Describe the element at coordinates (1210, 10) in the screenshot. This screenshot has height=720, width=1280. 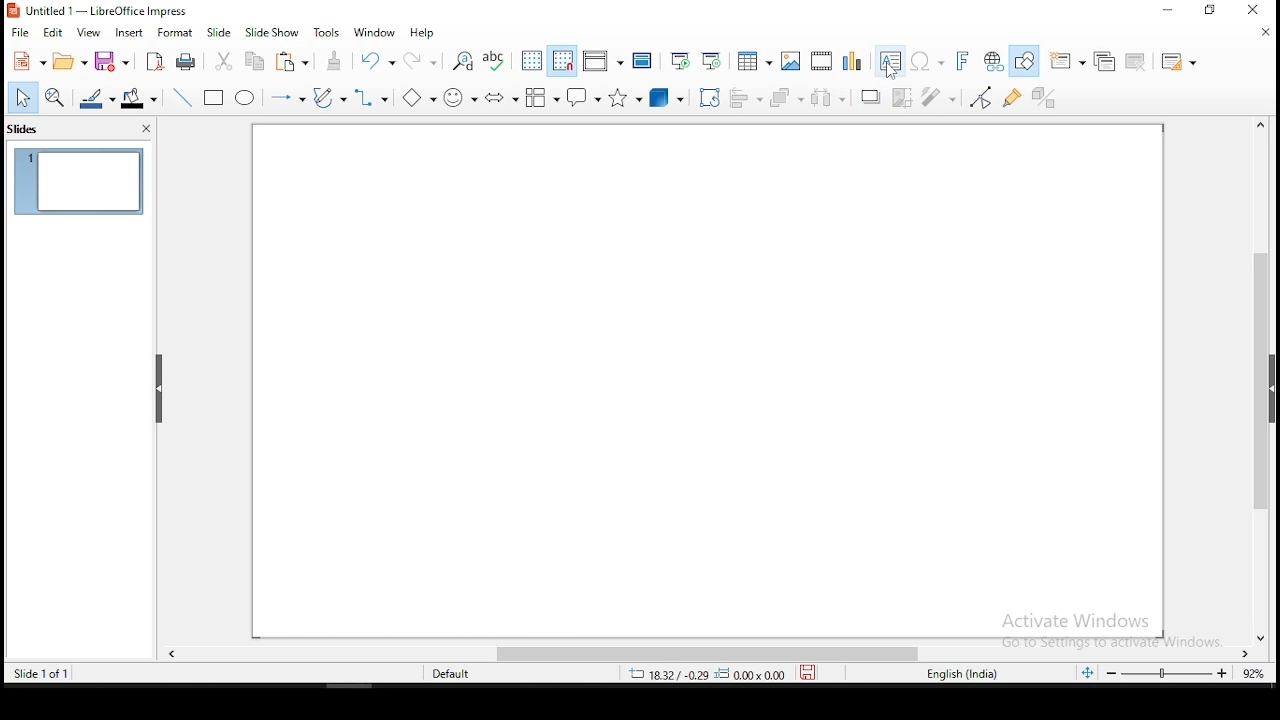
I see `restore` at that location.